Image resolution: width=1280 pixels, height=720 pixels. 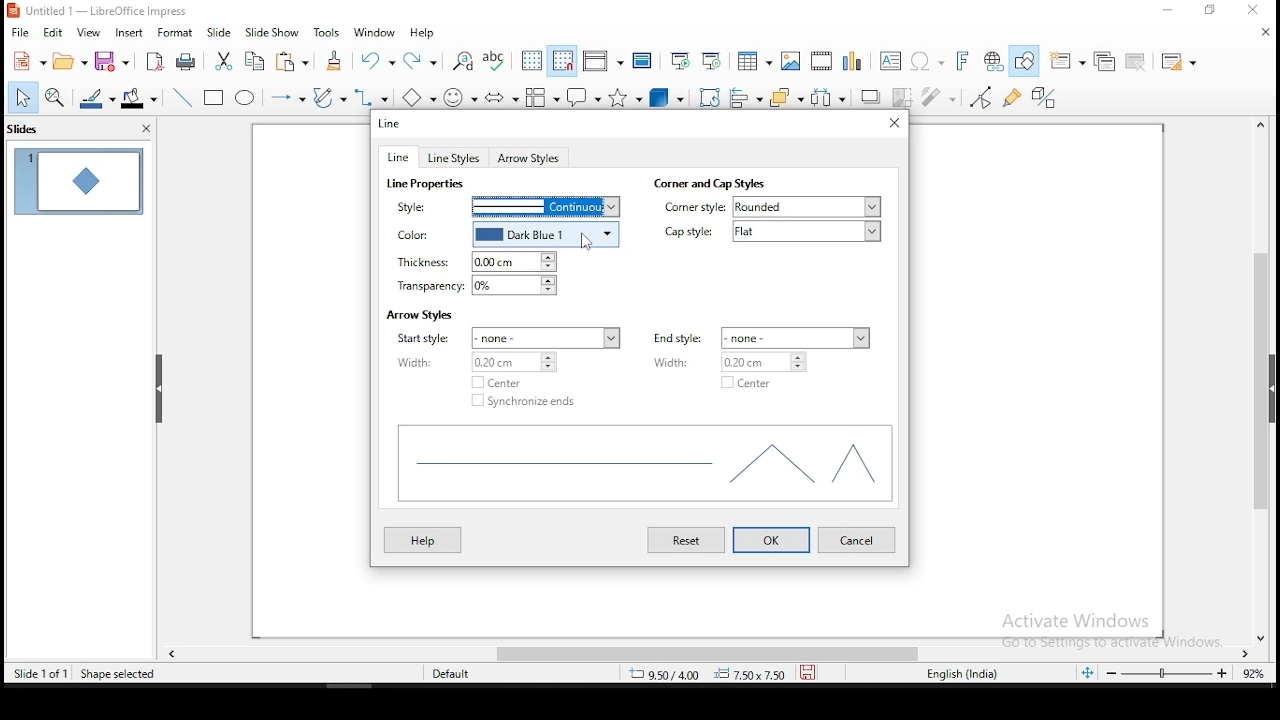 What do you see at coordinates (795, 60) in the screenshot?
I see `image` at bounding box center [795, 60].